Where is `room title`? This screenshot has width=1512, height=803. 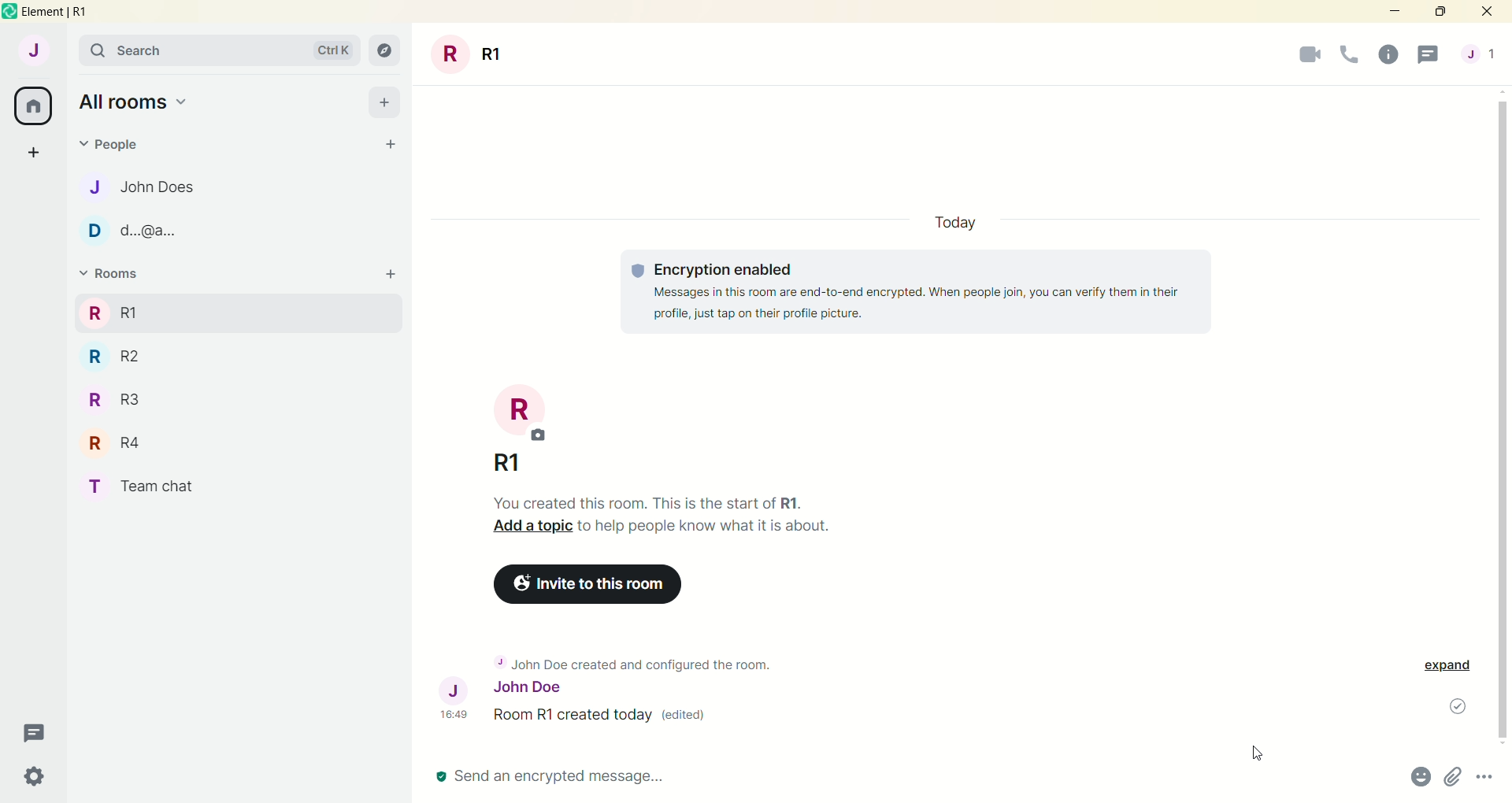
room title is located at coordinates (469, 54).